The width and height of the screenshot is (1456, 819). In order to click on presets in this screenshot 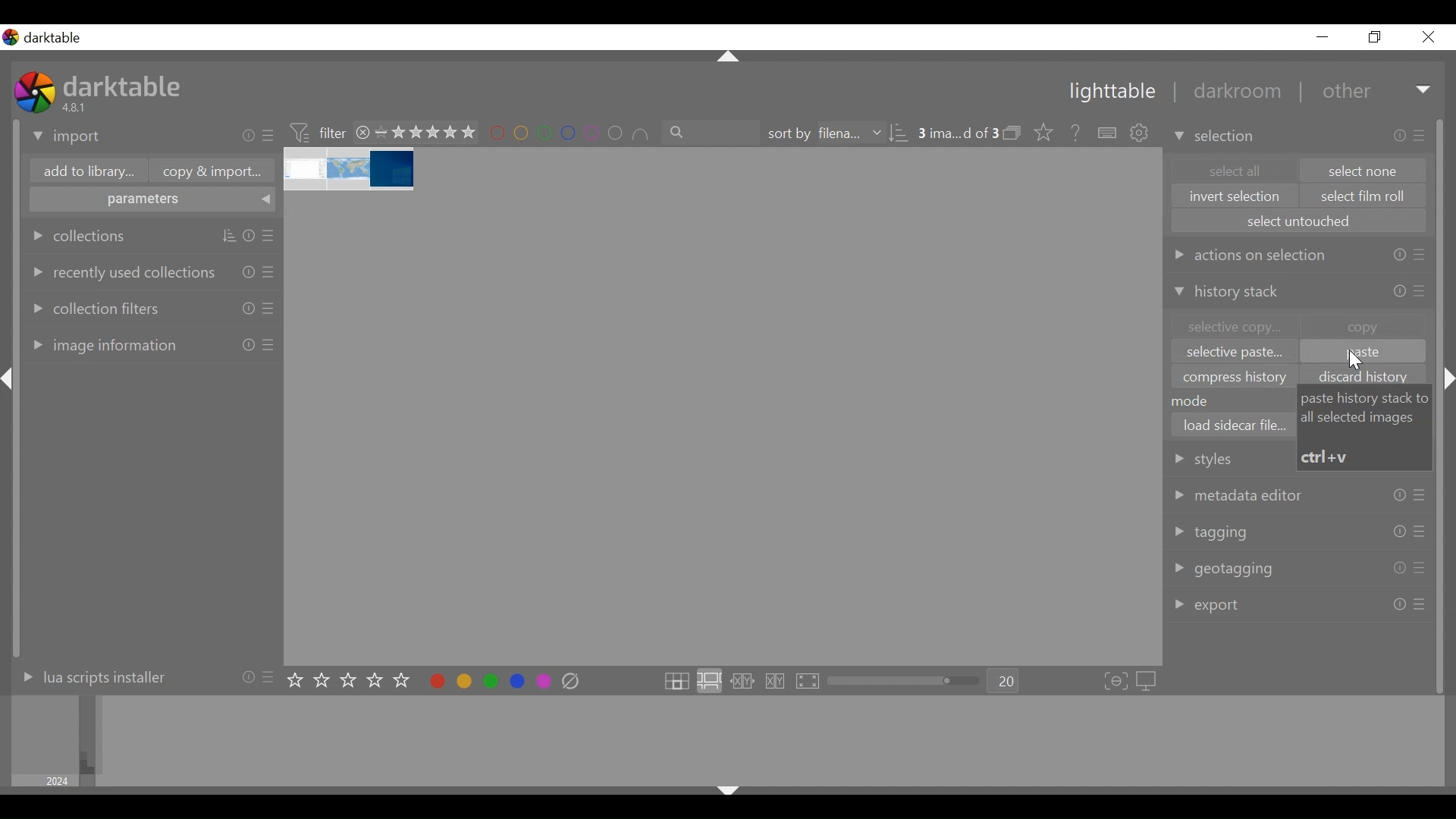, I will do `click(1420, 257)`.